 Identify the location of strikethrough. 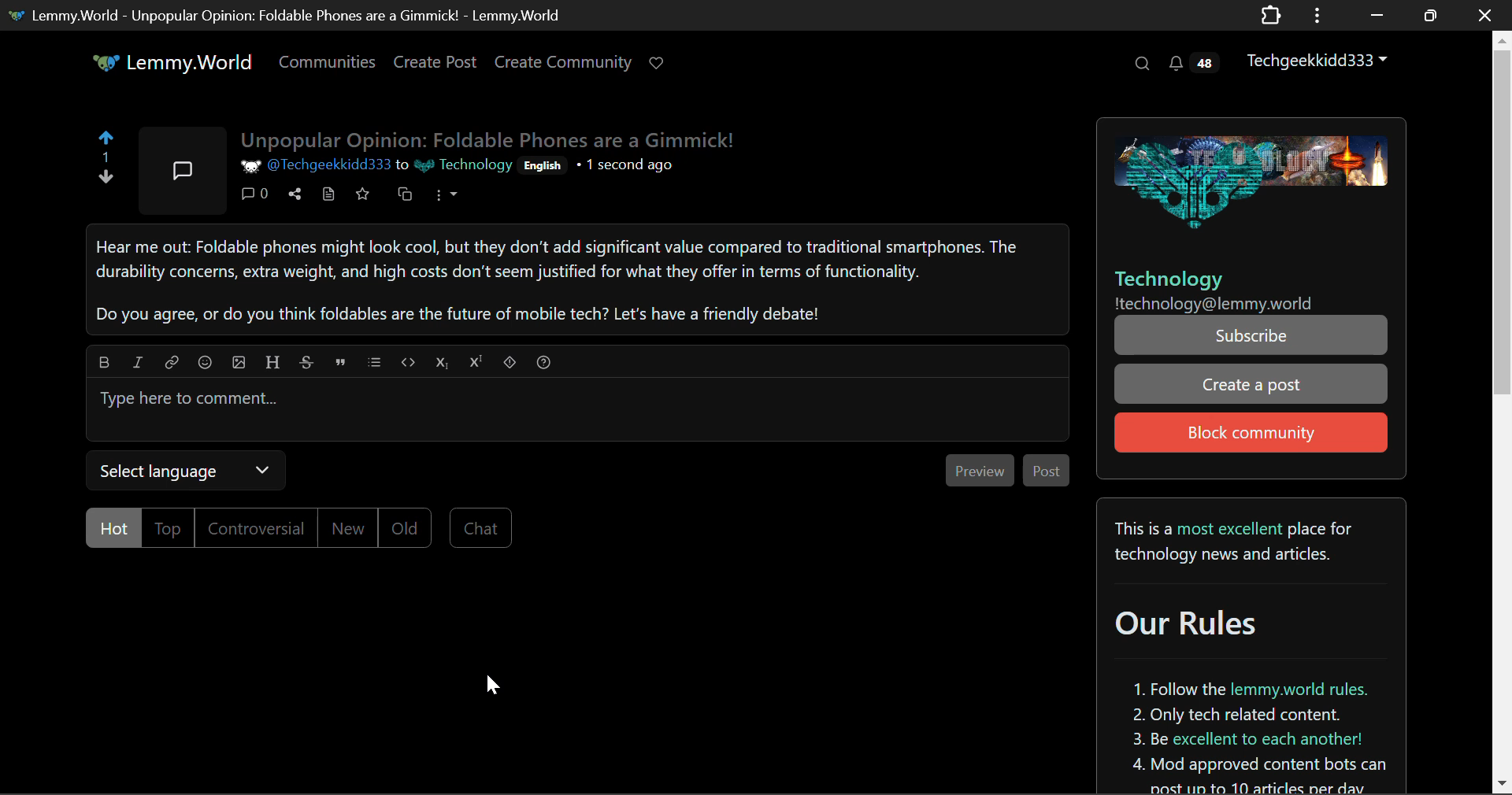
(306, 361).